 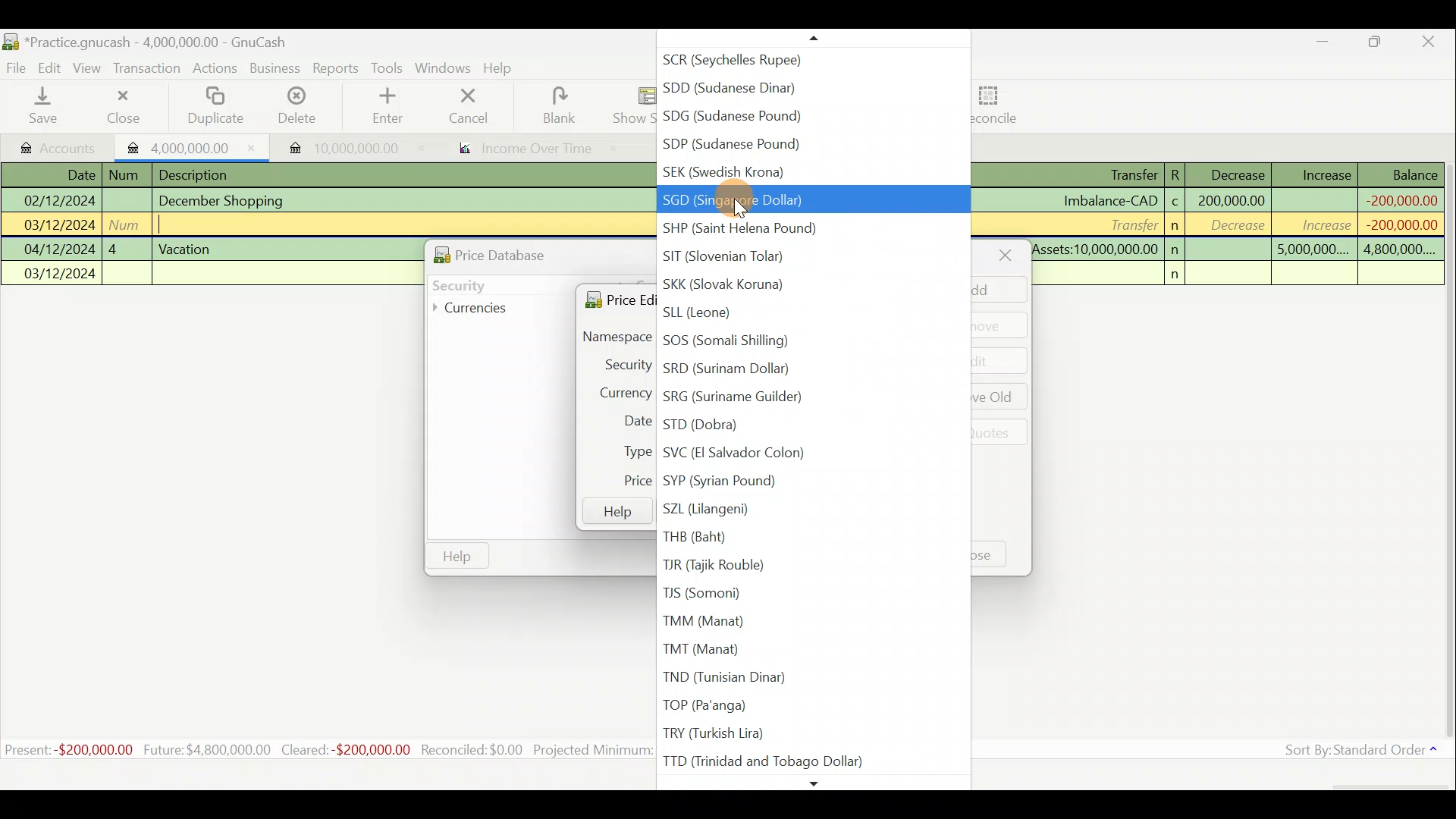 What do you see at coordinates (1109, 200) in the screenshot?
I see `Imbalance-CAD` at bounding box center [1109, 200].